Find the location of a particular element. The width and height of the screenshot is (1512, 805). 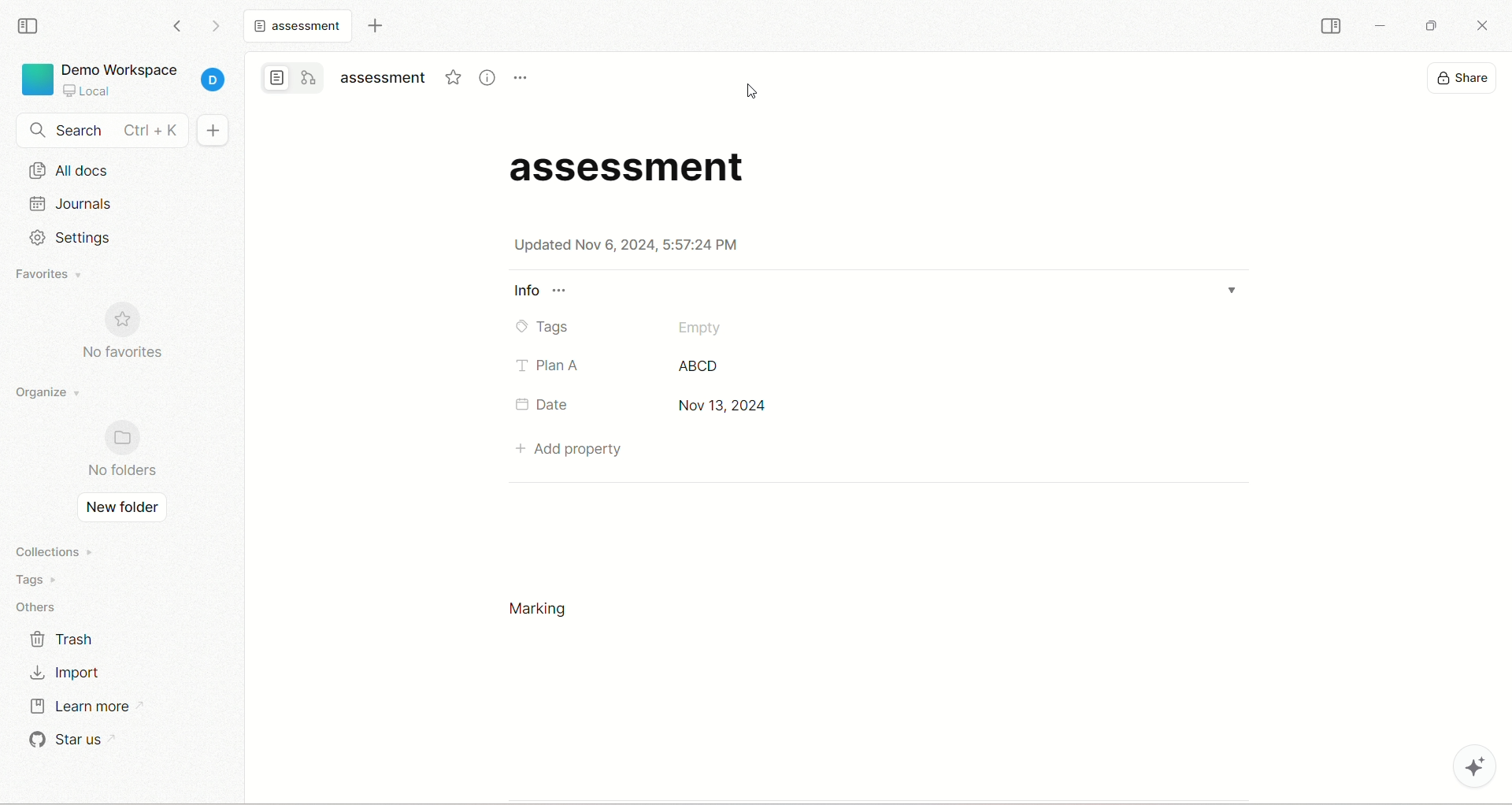

cursor is located at coordinates (750, 92).